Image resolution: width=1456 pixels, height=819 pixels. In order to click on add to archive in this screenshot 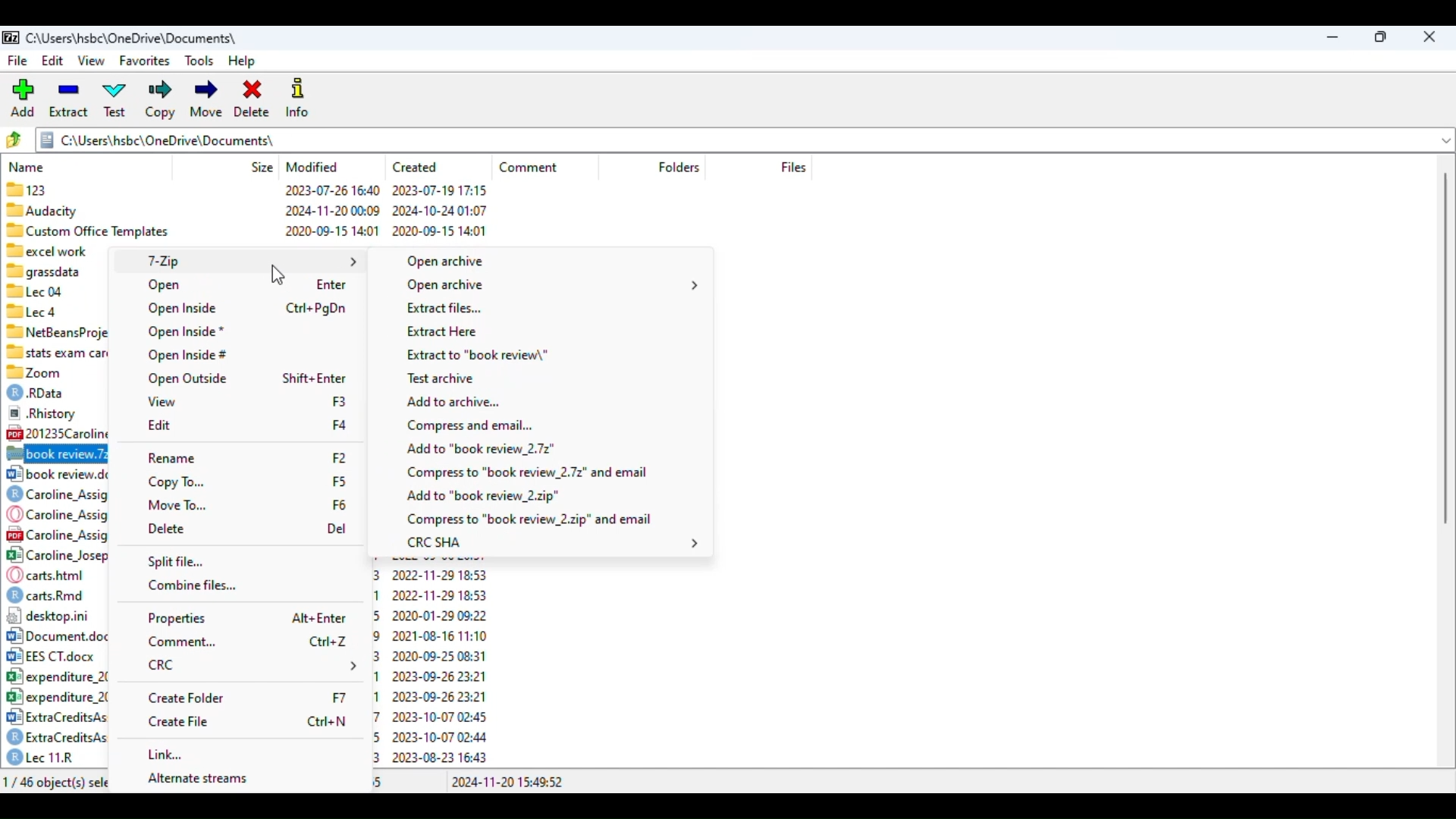, I will do `click(454, 403)`.